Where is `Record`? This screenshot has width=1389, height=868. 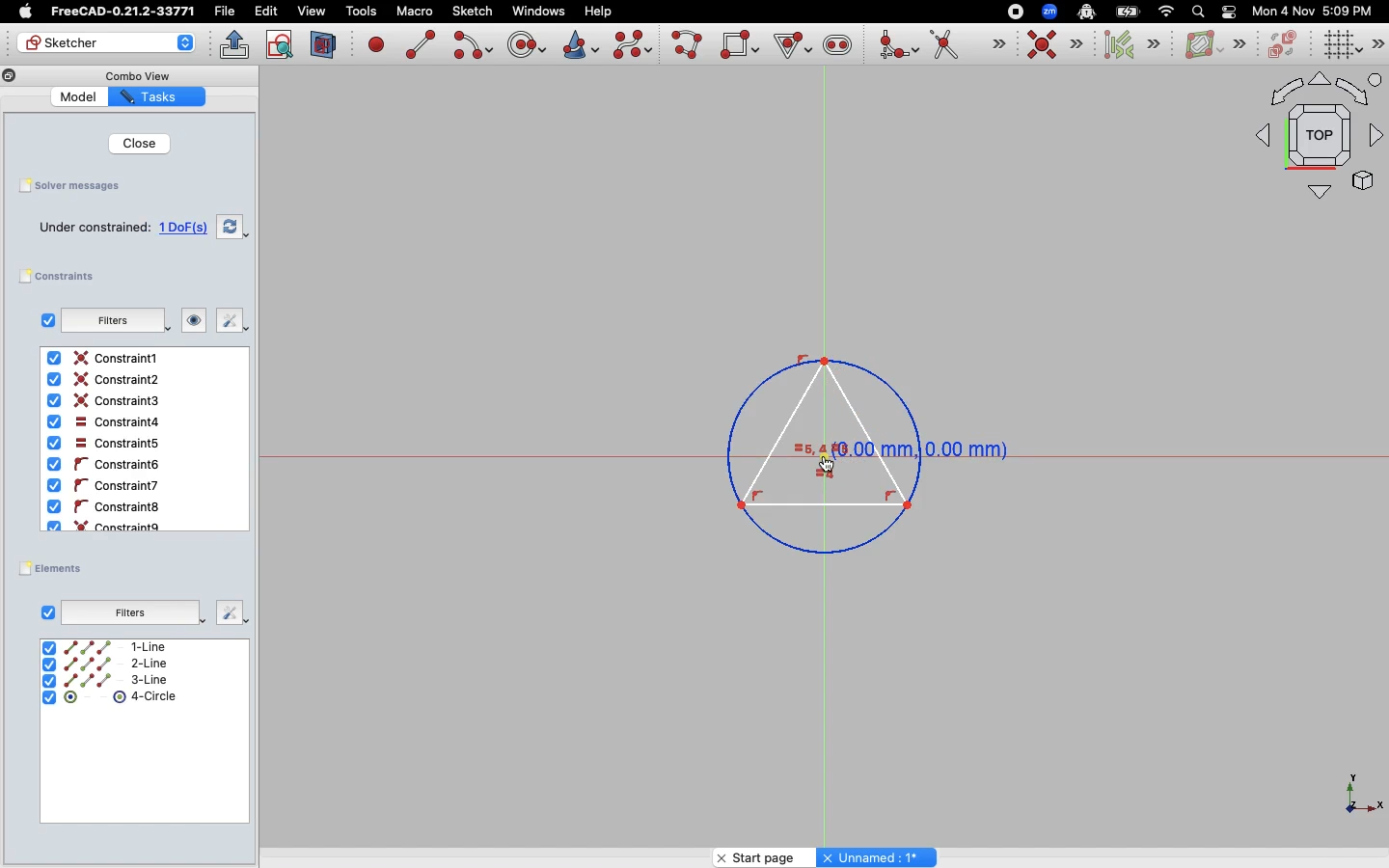
Record is located at coordinates (1011, 11).